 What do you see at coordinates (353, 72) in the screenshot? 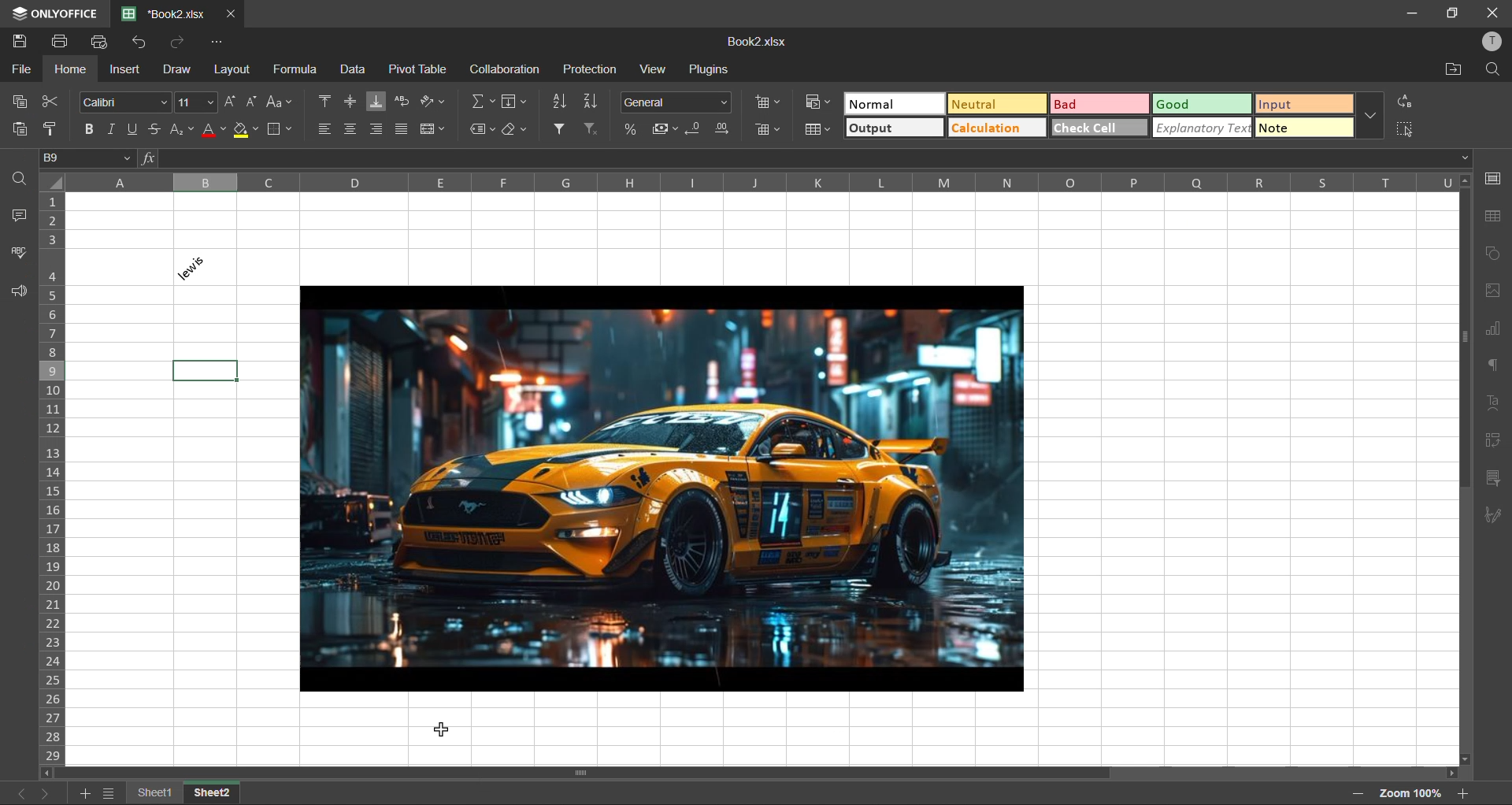
I see `data` at bounding box center [353, 72].